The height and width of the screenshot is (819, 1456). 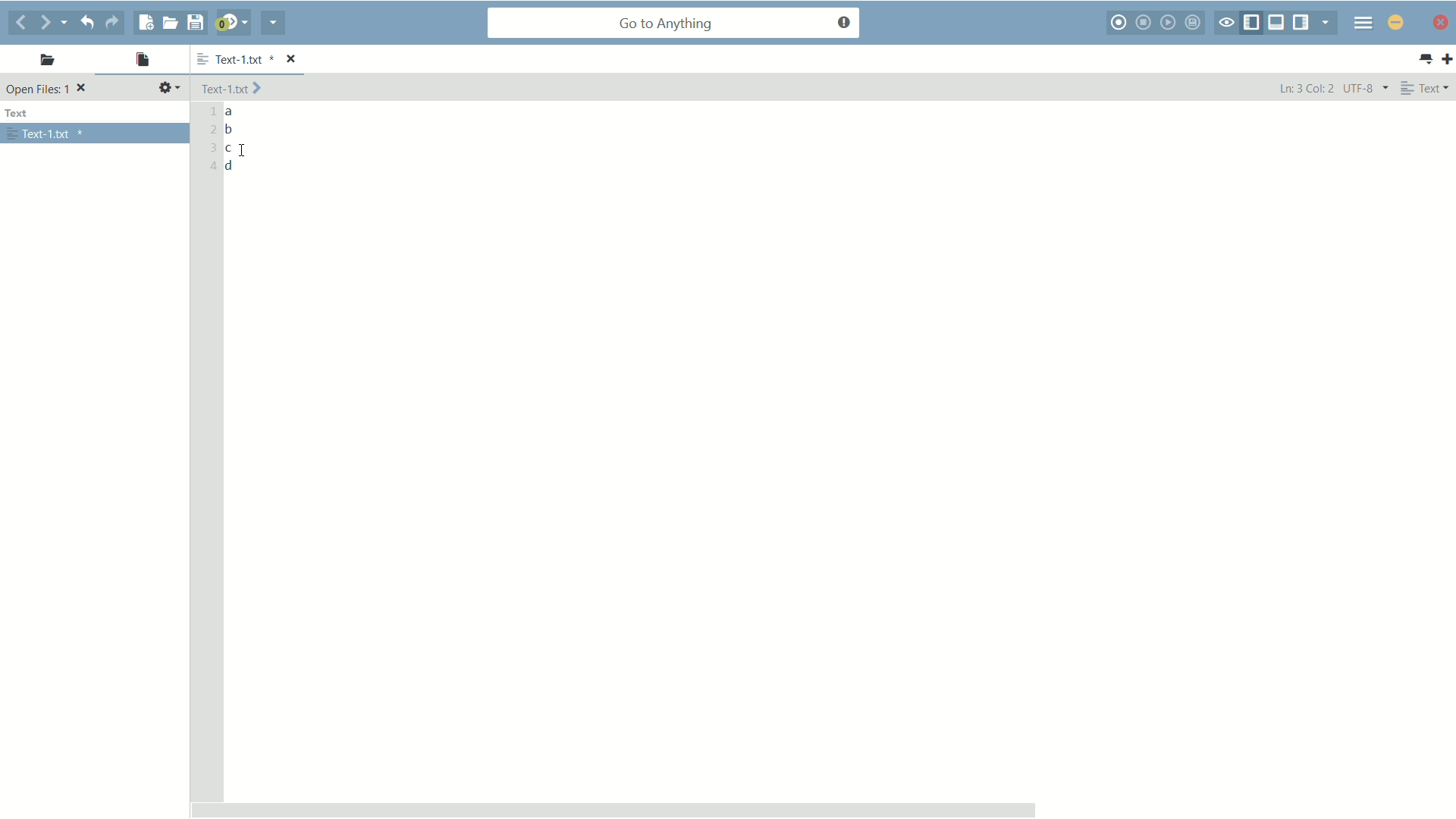 I want to click on go forward, so click(x=46, y=24).